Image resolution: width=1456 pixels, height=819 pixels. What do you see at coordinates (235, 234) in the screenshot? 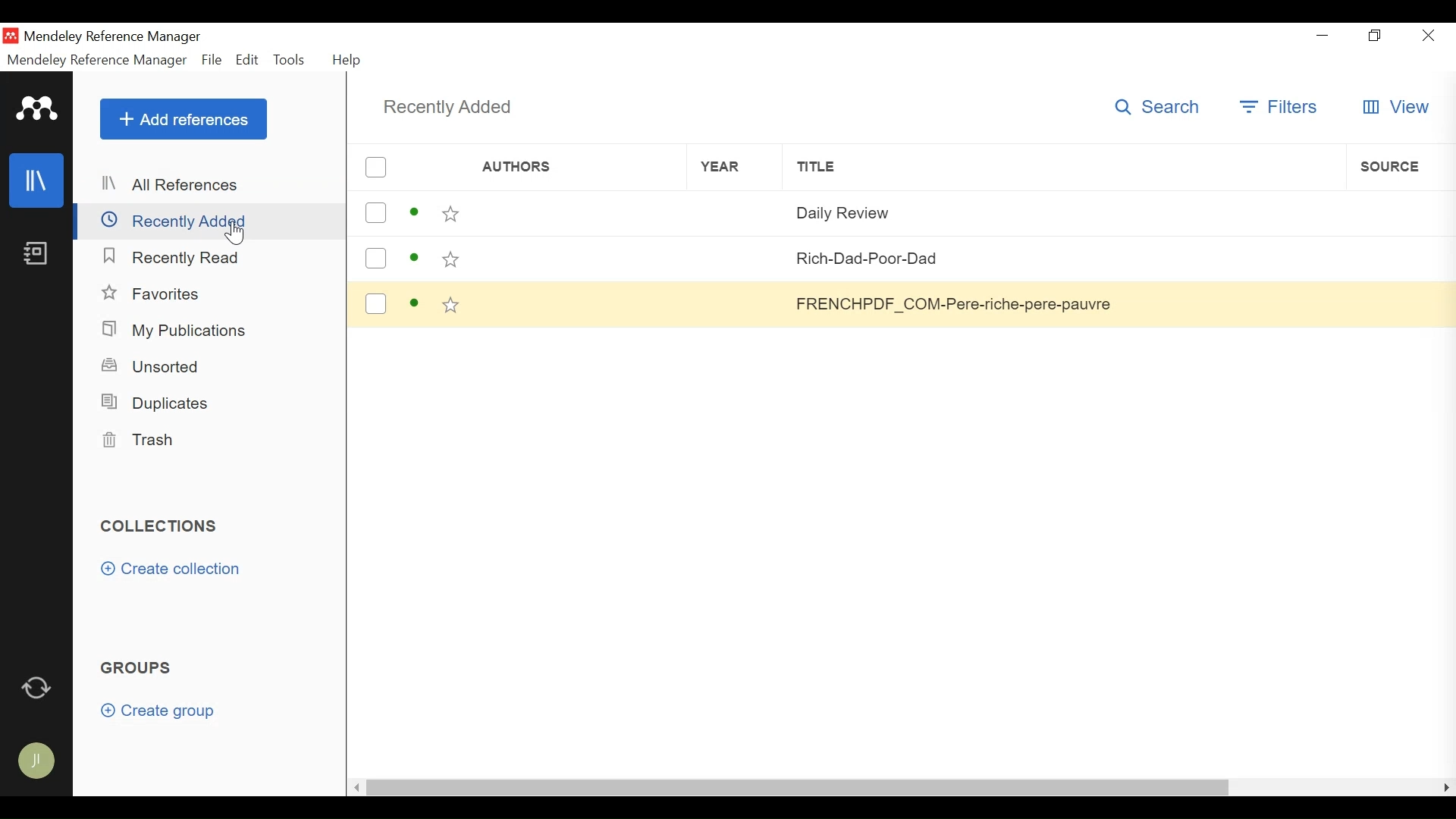
I see `cursor on recently added` at bounding box center [235, 234].